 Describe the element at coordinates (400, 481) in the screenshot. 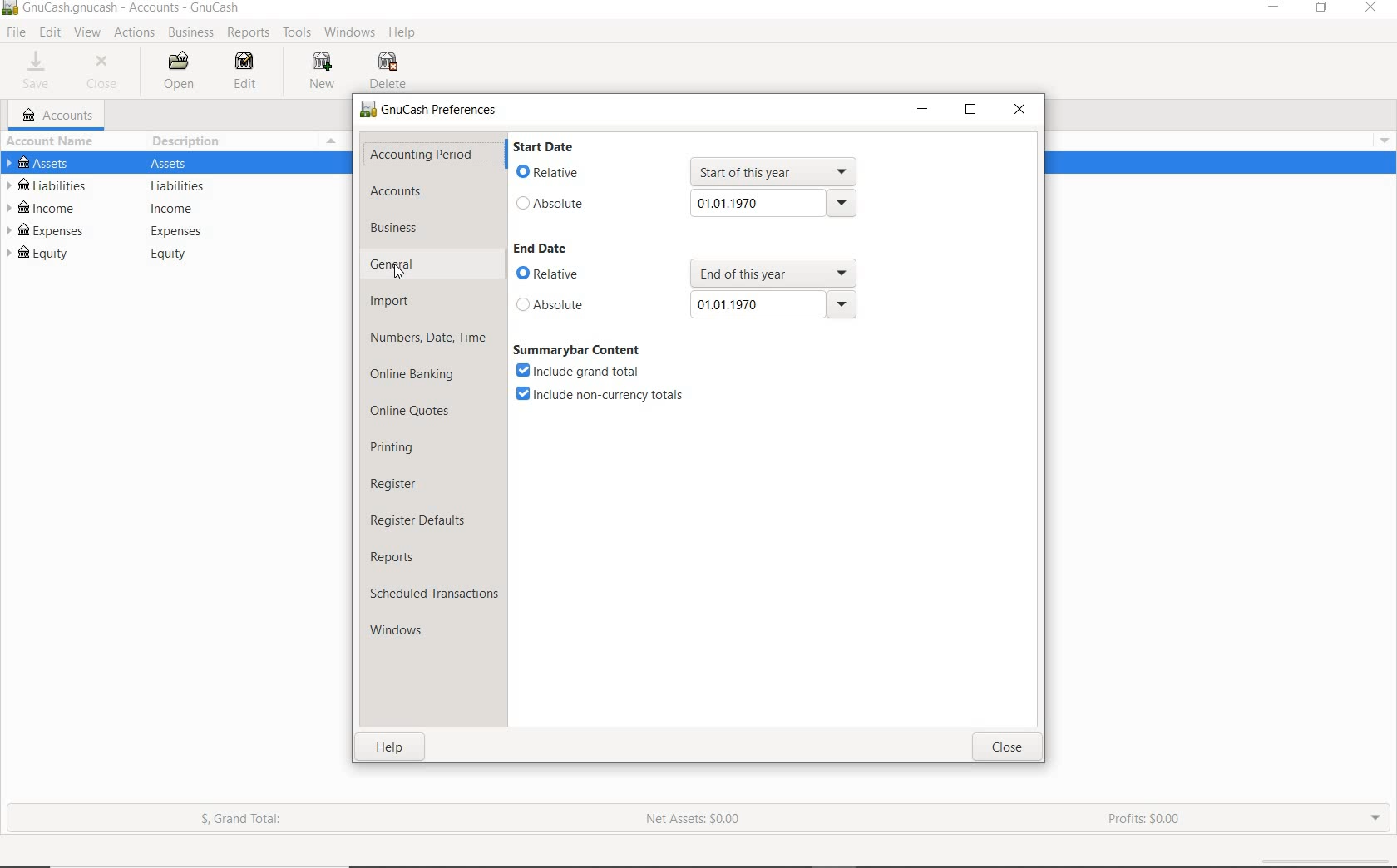

I see `REGISTER` at that location.